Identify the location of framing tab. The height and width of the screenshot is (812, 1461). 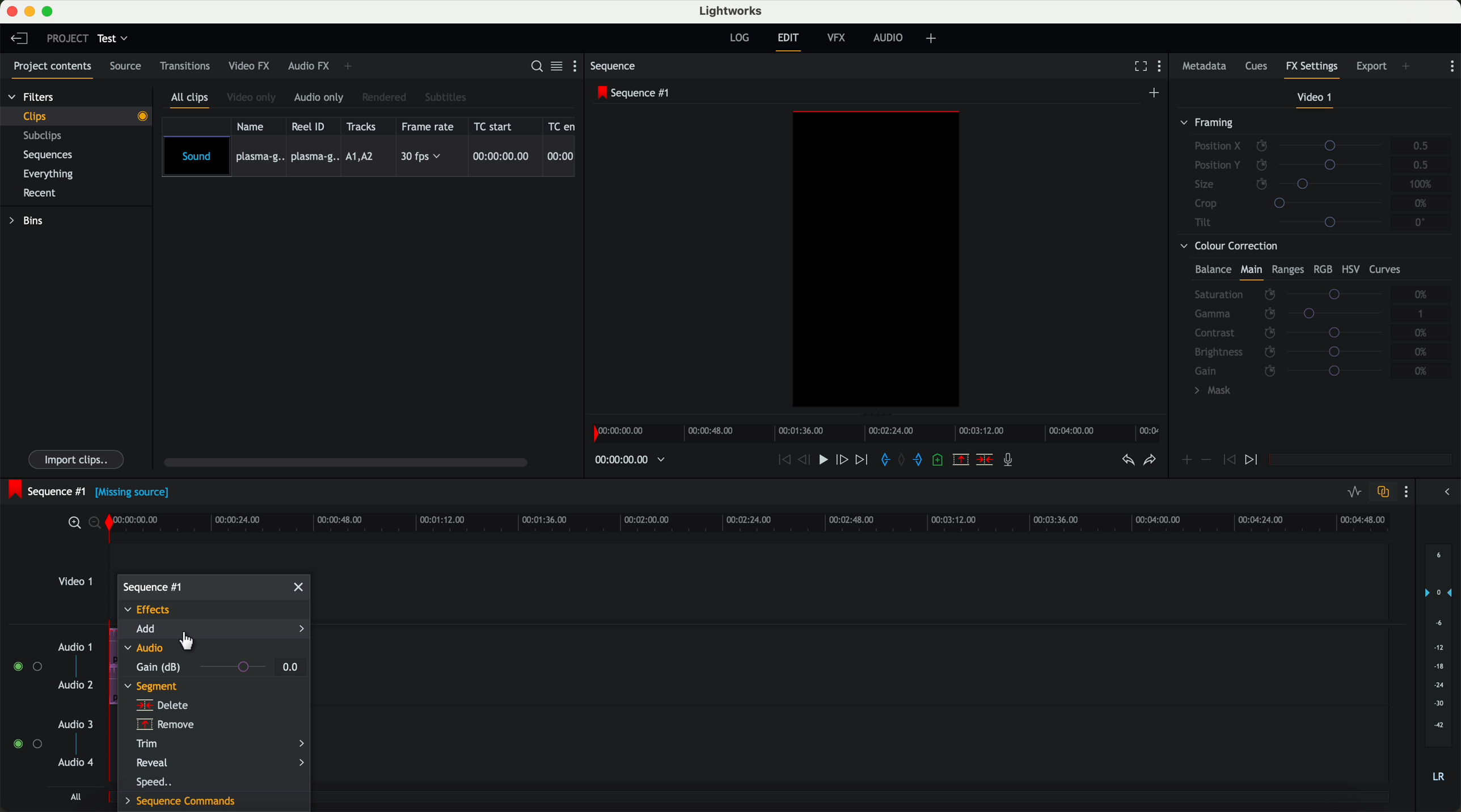
(1314, 175).